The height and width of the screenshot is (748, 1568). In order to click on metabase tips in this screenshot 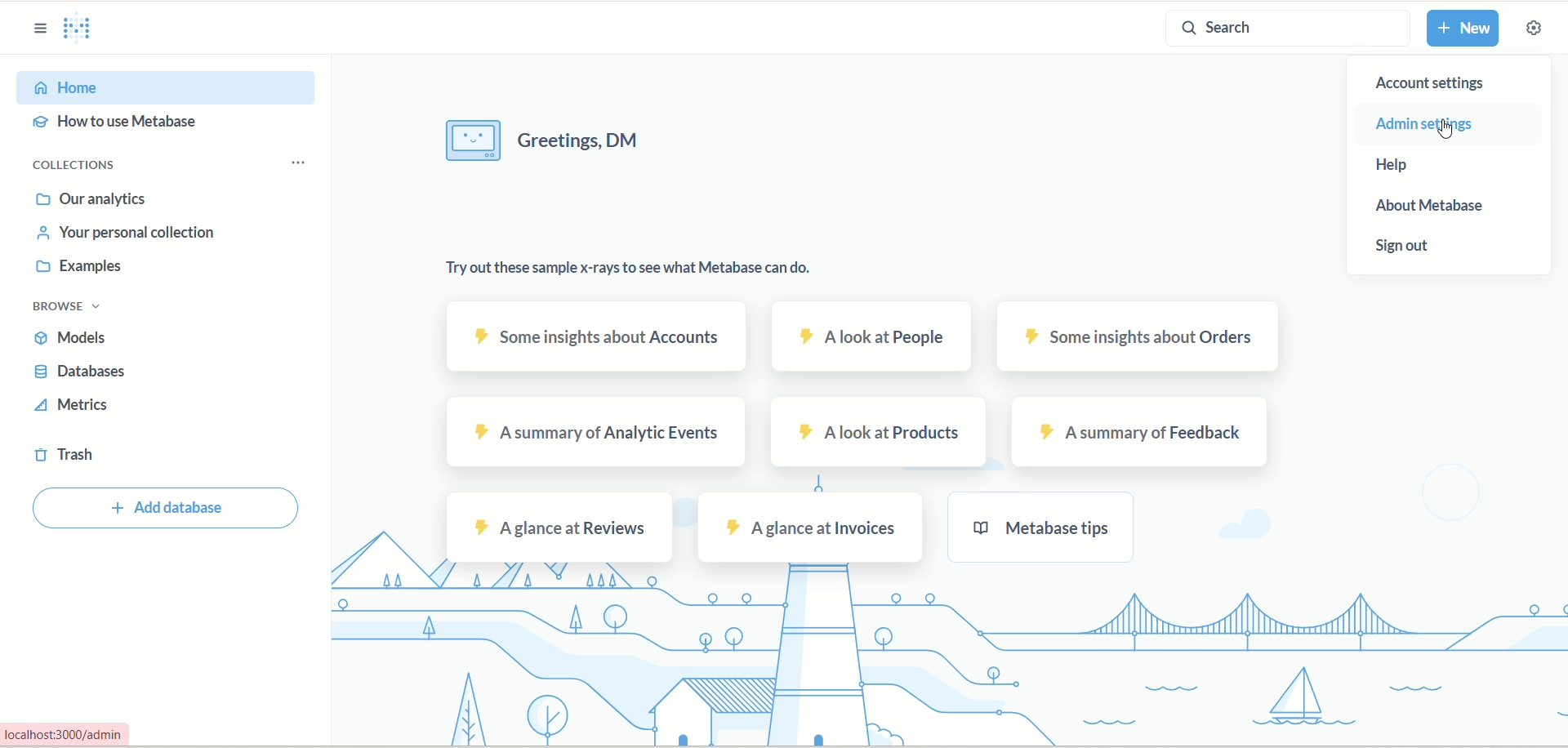, I will do `click(1043, 528)`.